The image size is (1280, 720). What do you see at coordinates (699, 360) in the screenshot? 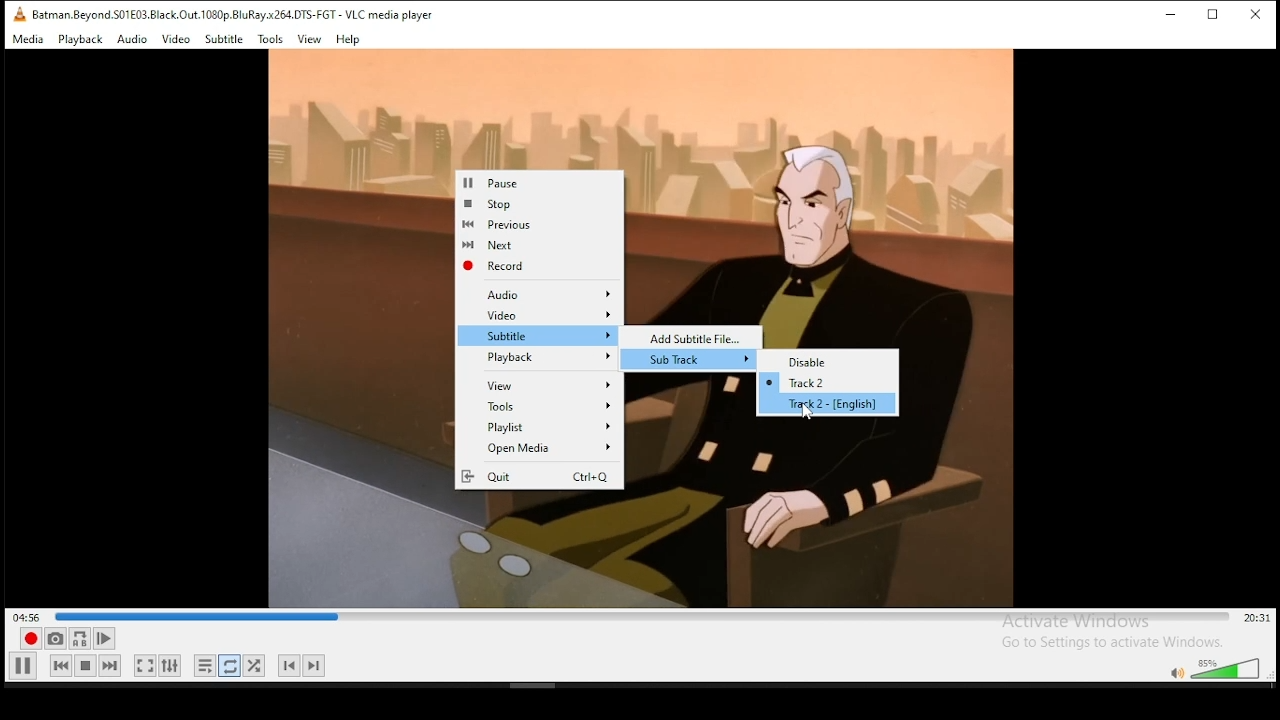
I see `Sub Track ` at bounding box center [699, 360].